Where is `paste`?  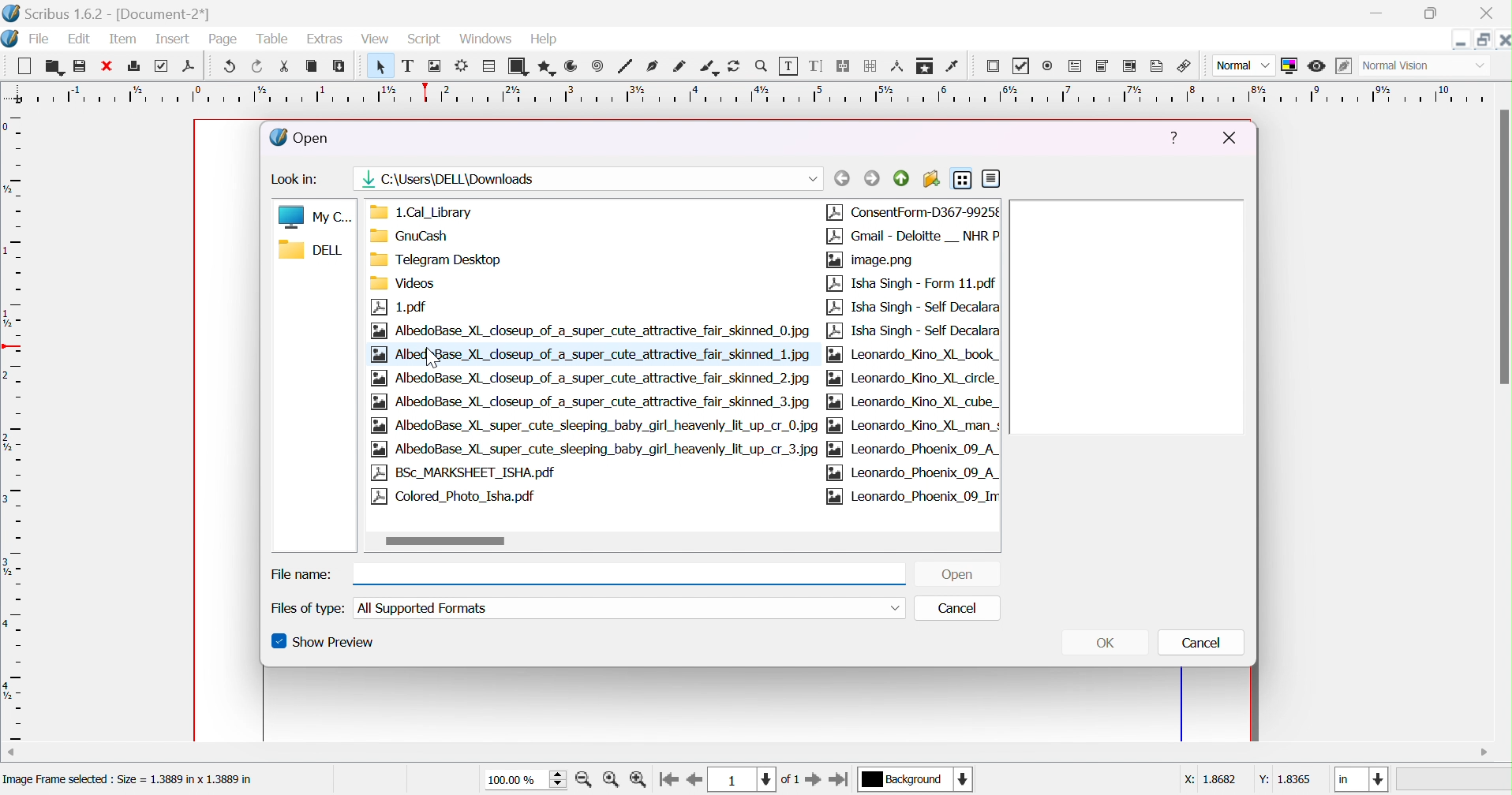
paste is located at coordinates (339, 65).